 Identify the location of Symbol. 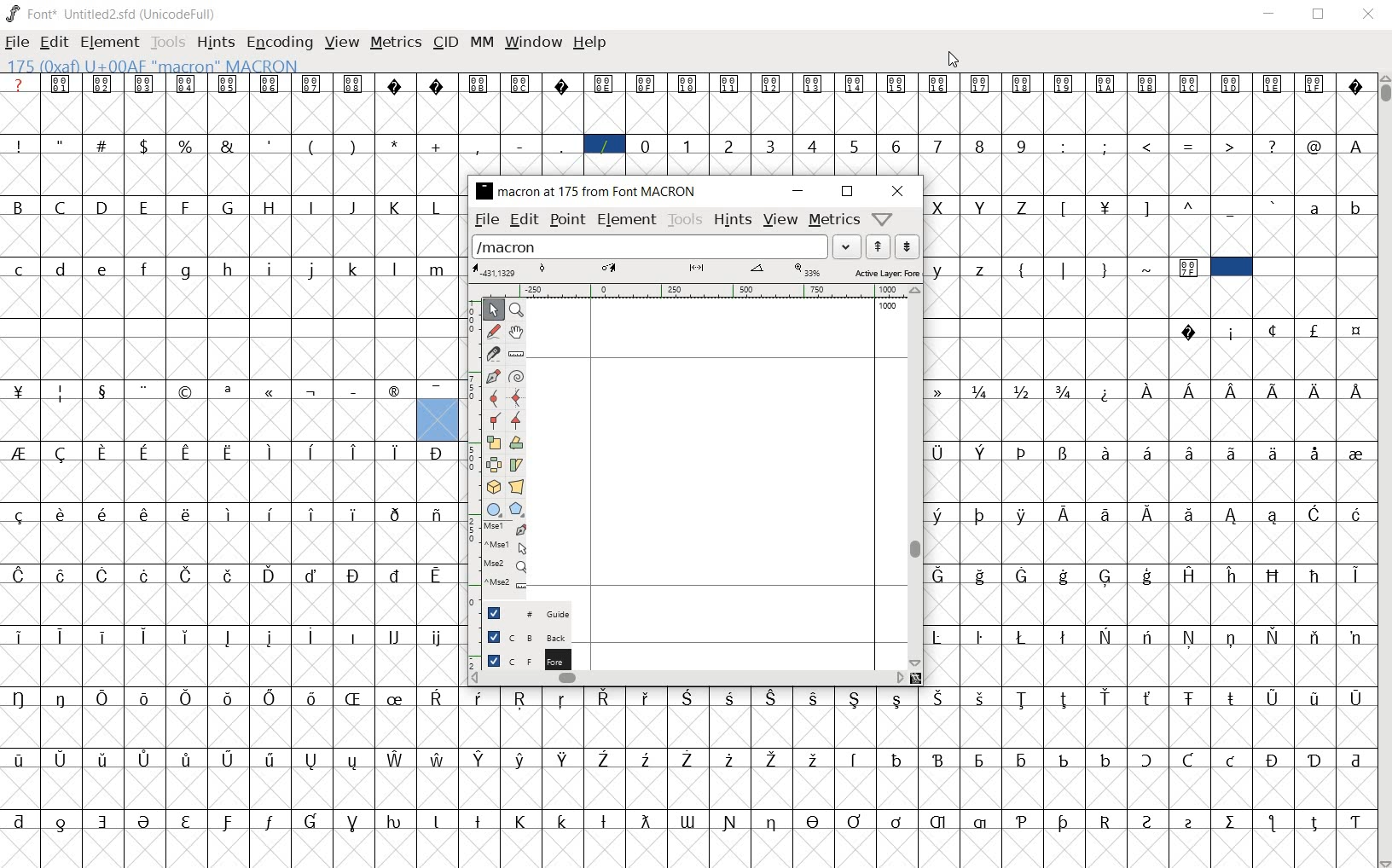
(396, 513).